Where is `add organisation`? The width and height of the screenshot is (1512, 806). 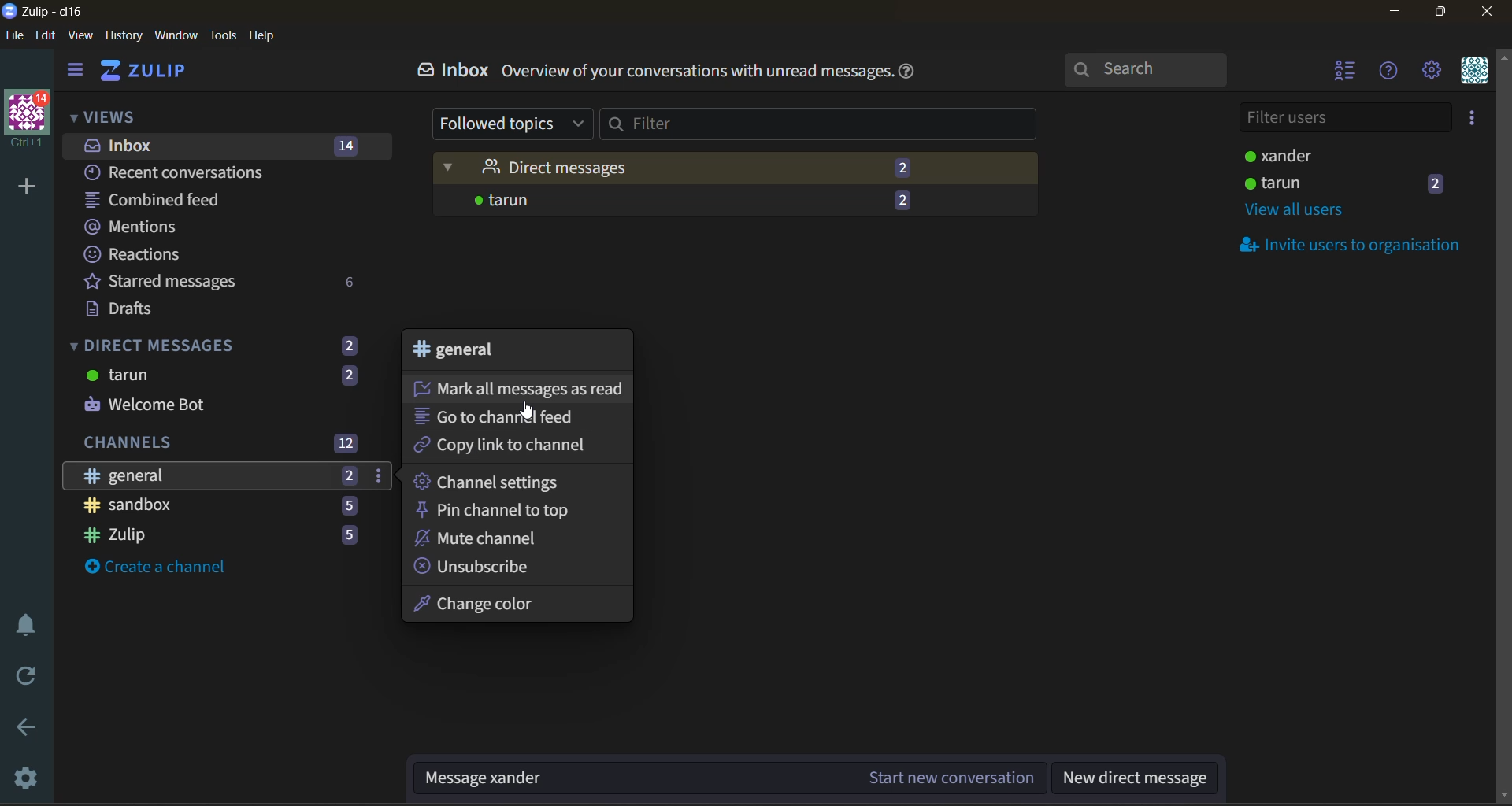 add organisation is located at coordinates (27, 188).